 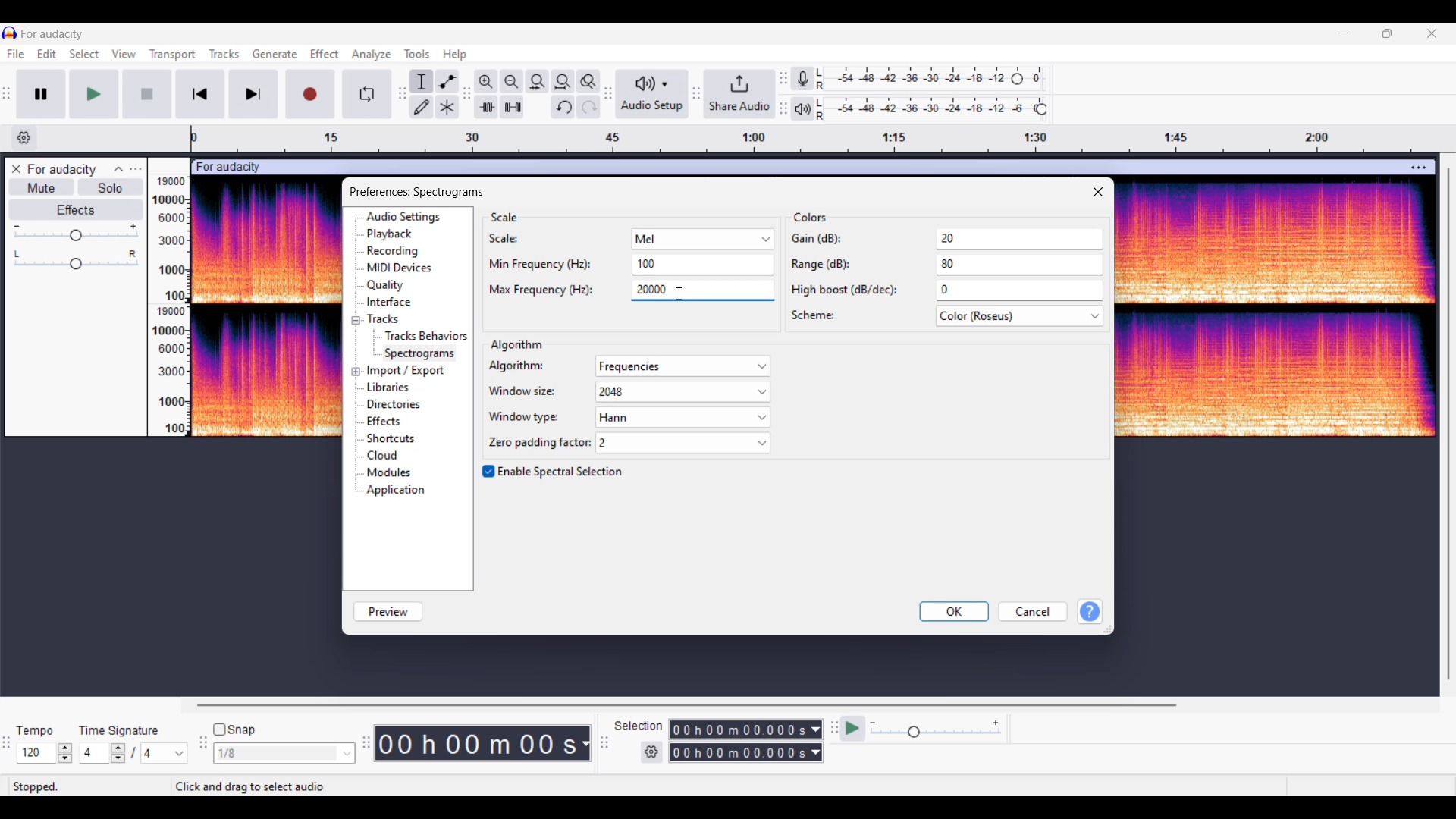 I want to click on Number changed, so click(x=647, y=263).